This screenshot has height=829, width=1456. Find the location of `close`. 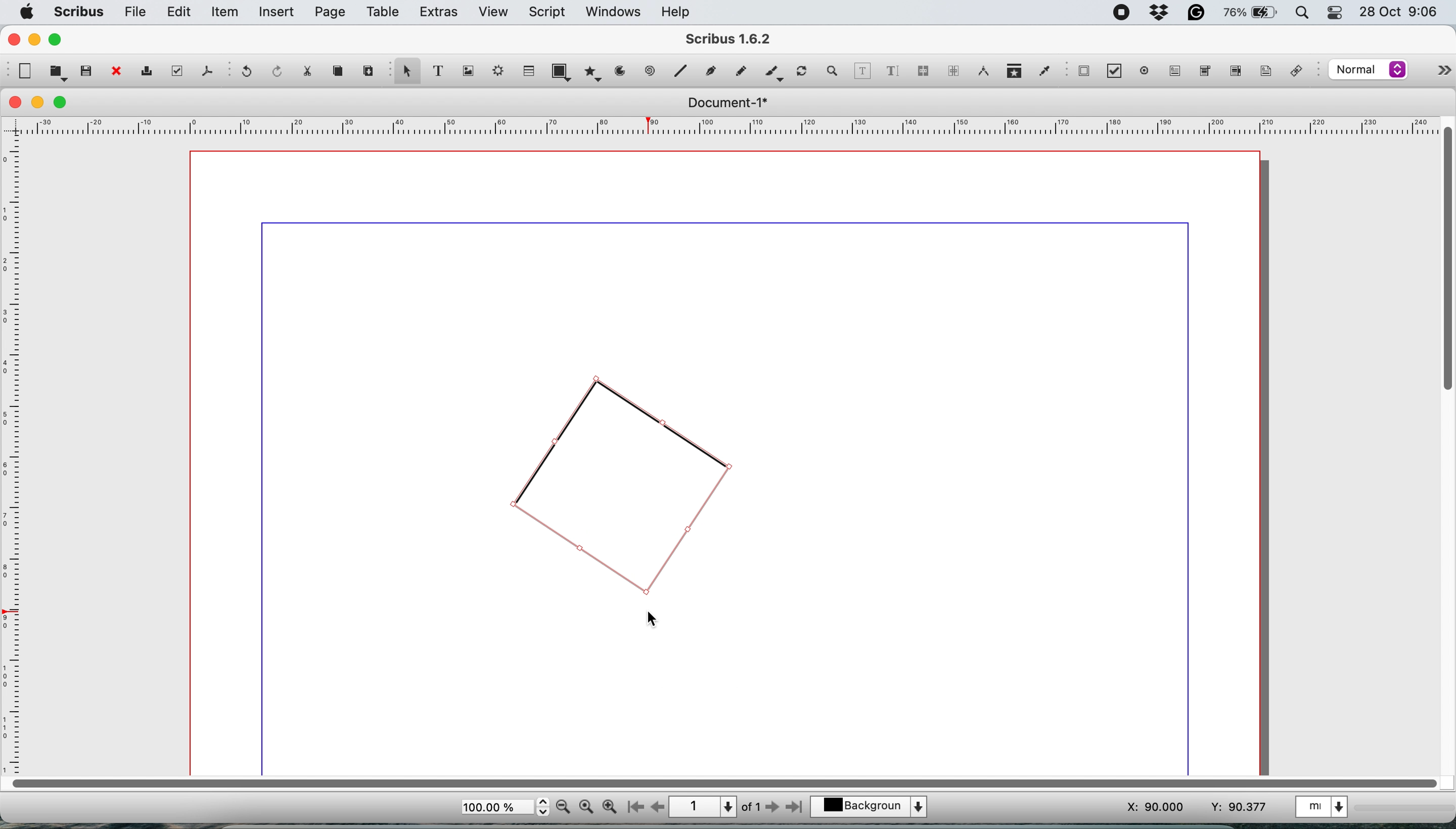

close is located at coordinates (116, 72).